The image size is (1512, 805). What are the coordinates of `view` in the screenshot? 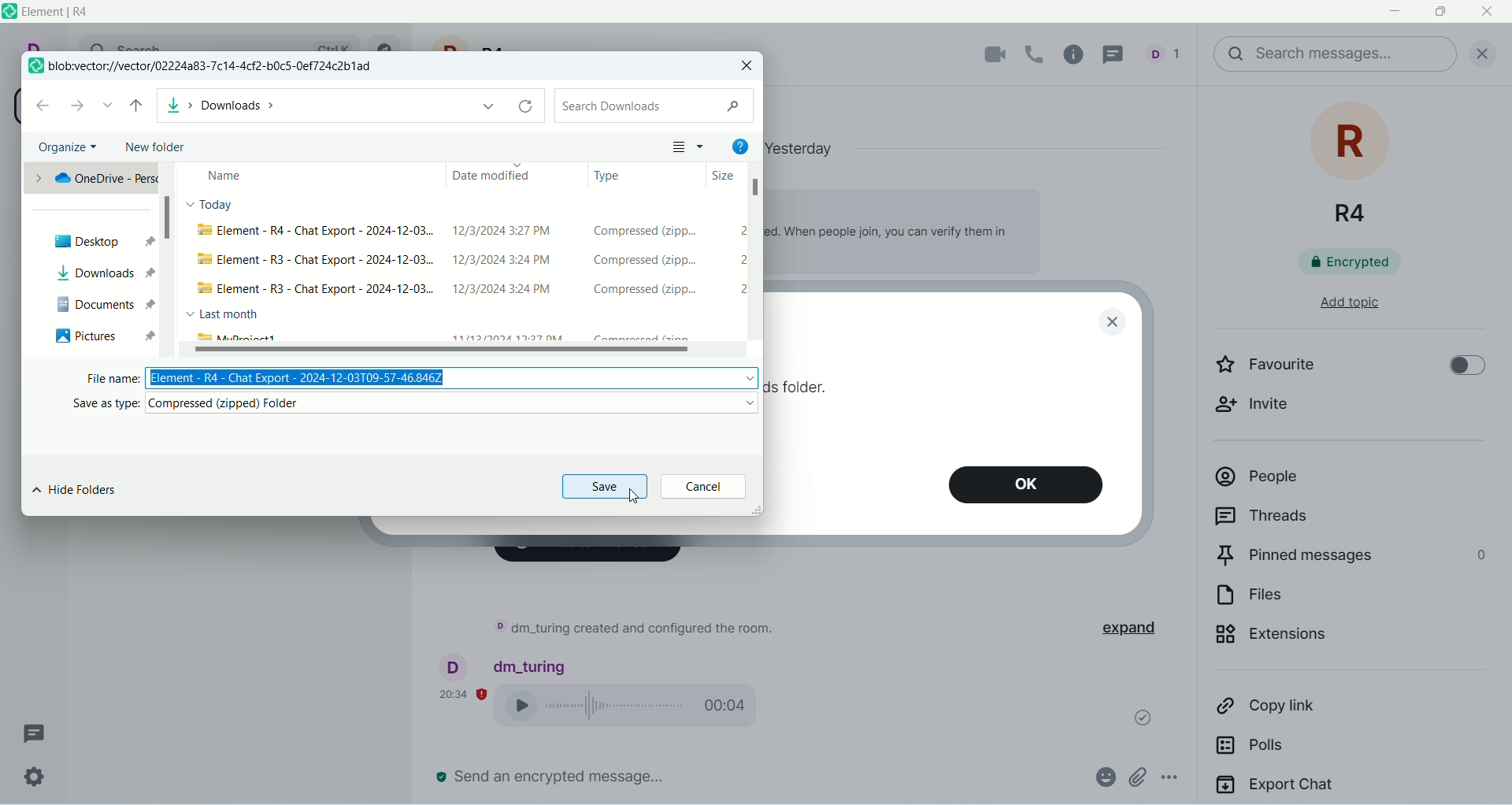 It's located at (688, 149).